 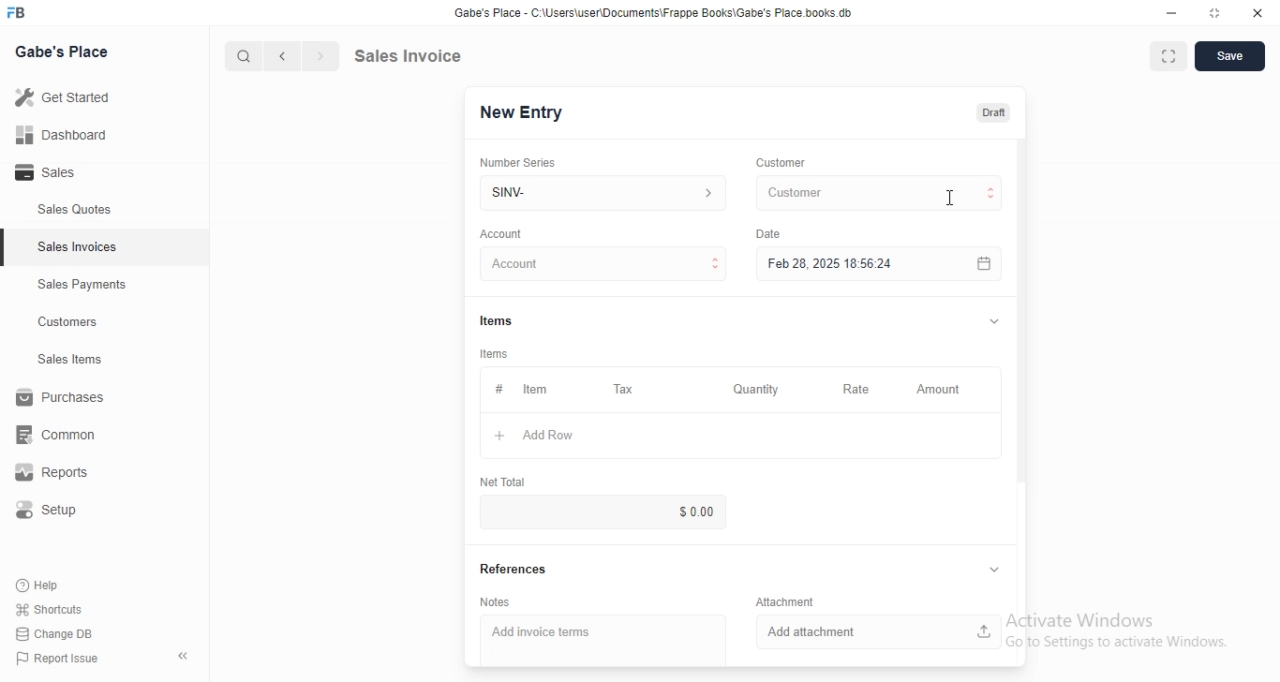 What do you see at coordinates (185, 656) in the screenshot?
I see `collapse` at bounding box center [185, 656].